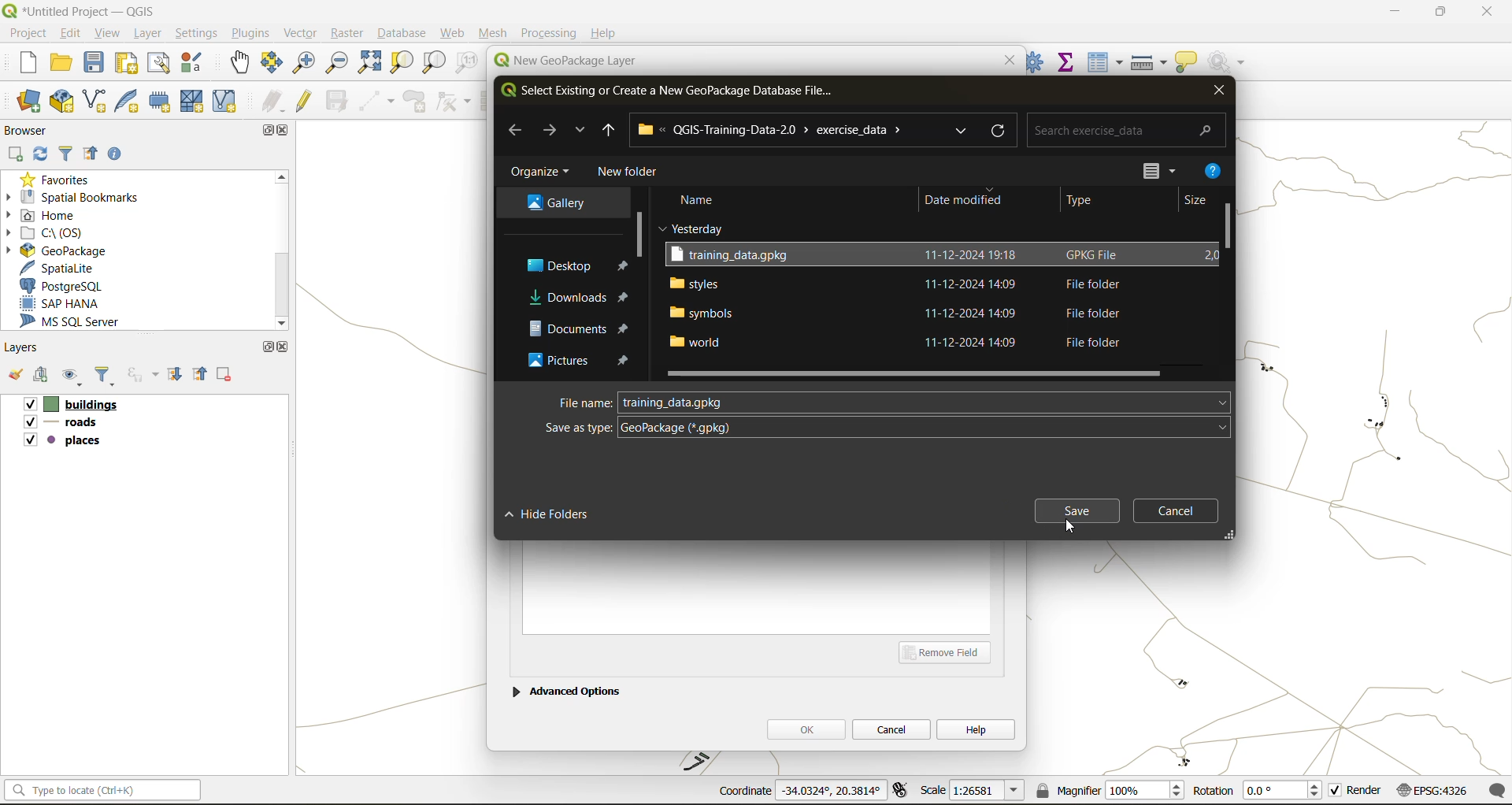 The width and height of the screenshot is (1512, 805). Describe the element at coordinates (950, 651) in the screenshot. I see `remove field` at that location.